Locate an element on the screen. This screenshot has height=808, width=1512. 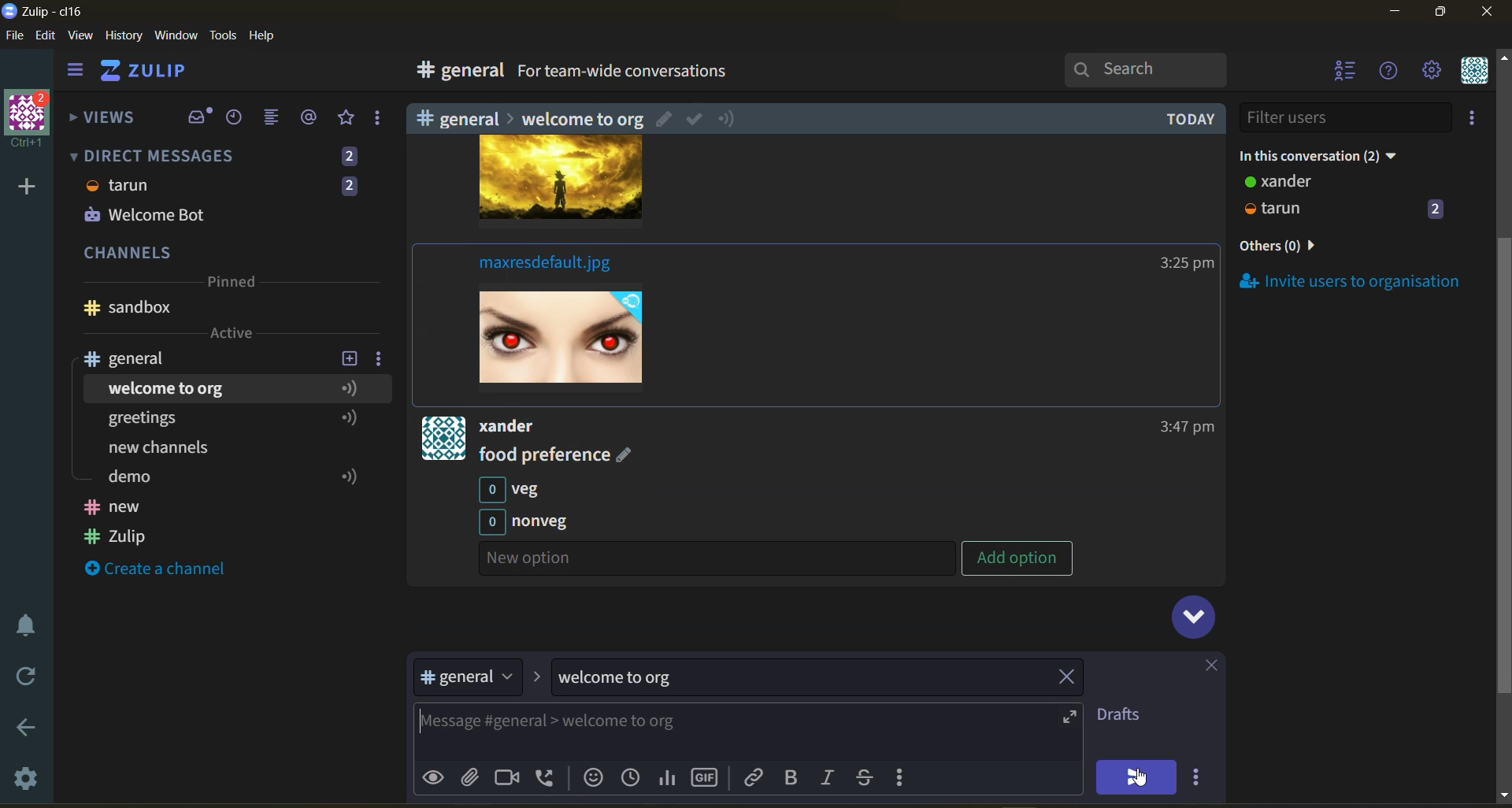
upload files is located at coordinates (475, 775).